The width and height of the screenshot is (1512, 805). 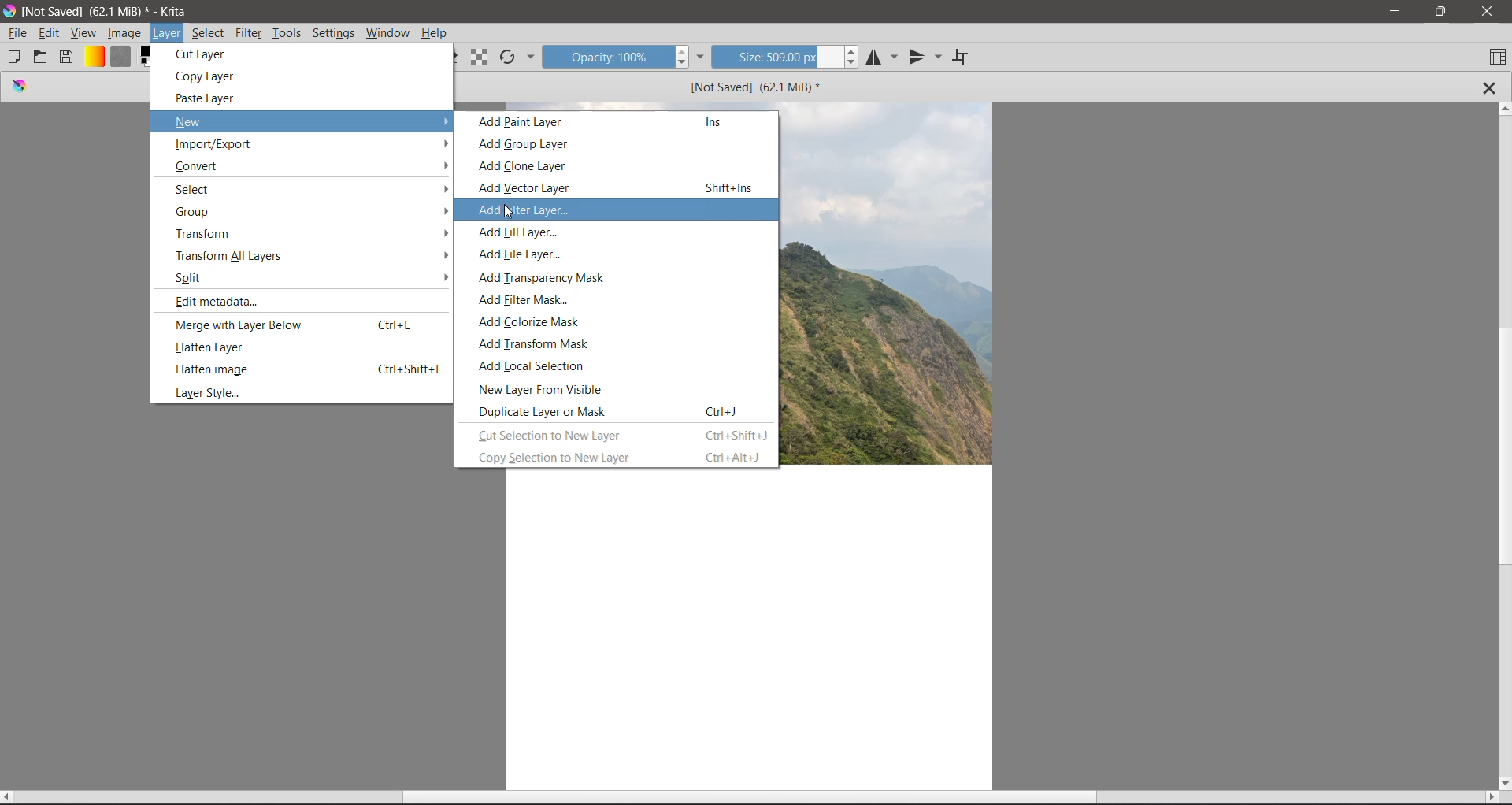 I want to click on Add Transparency Mark, so click(x=549, y=277).